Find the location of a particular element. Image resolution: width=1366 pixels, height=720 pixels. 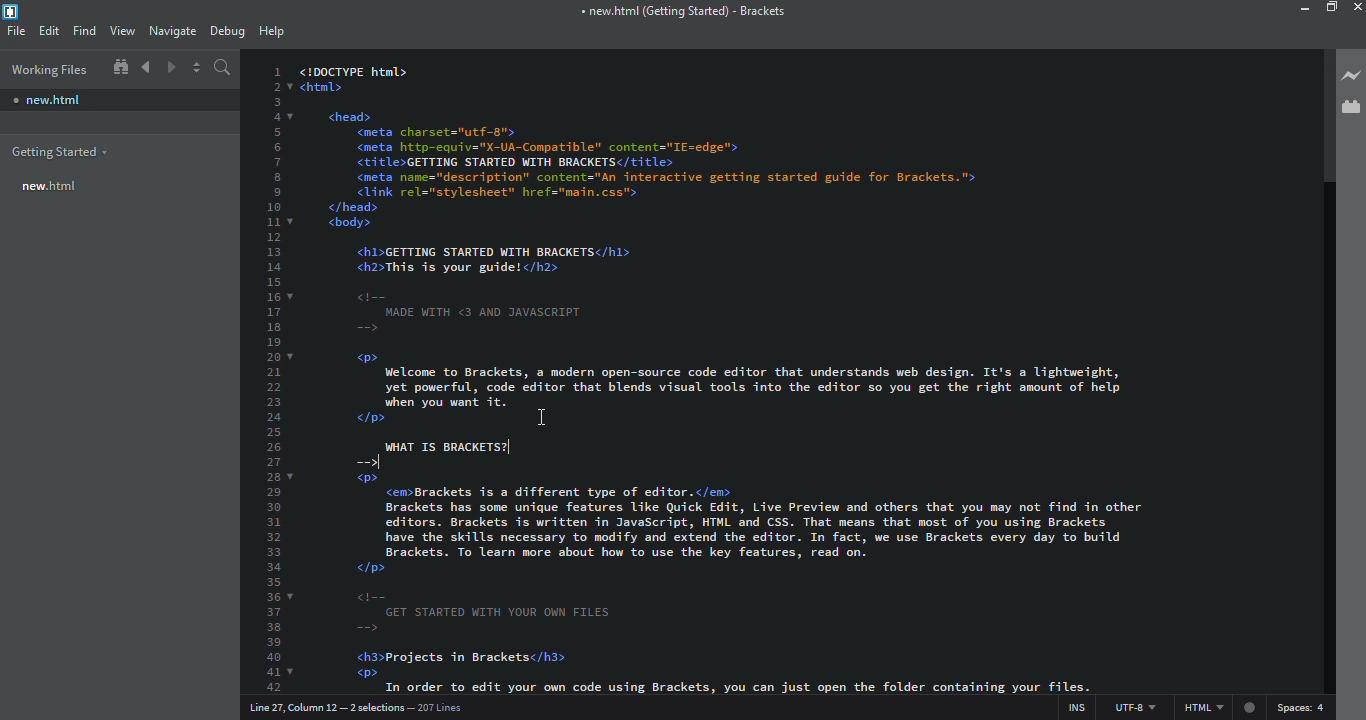

view is located at coordinates (122, 31).